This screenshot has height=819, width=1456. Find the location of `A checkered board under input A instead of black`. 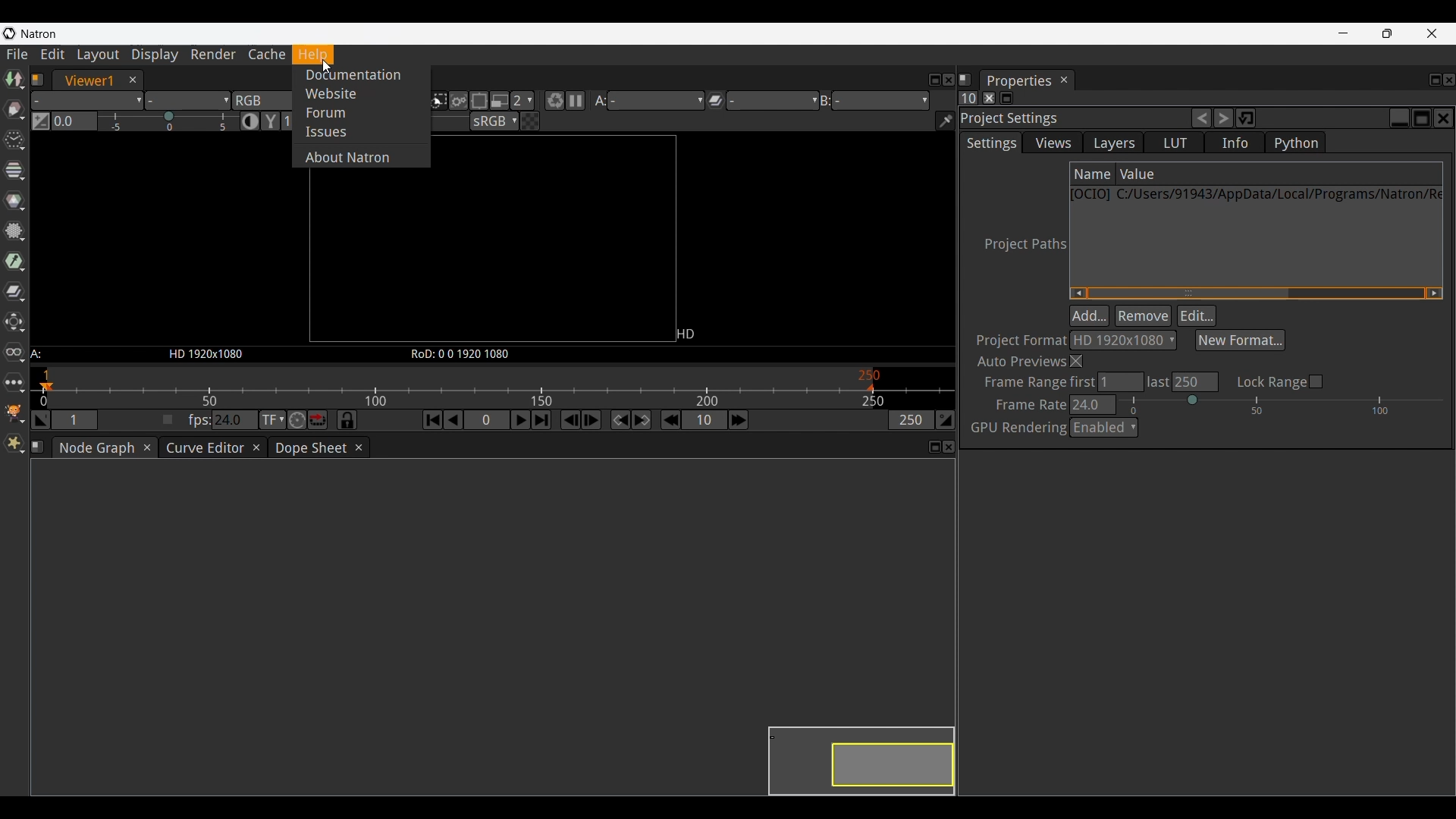

A checkered board under input A instead of black is located at coordinates (529, 121).